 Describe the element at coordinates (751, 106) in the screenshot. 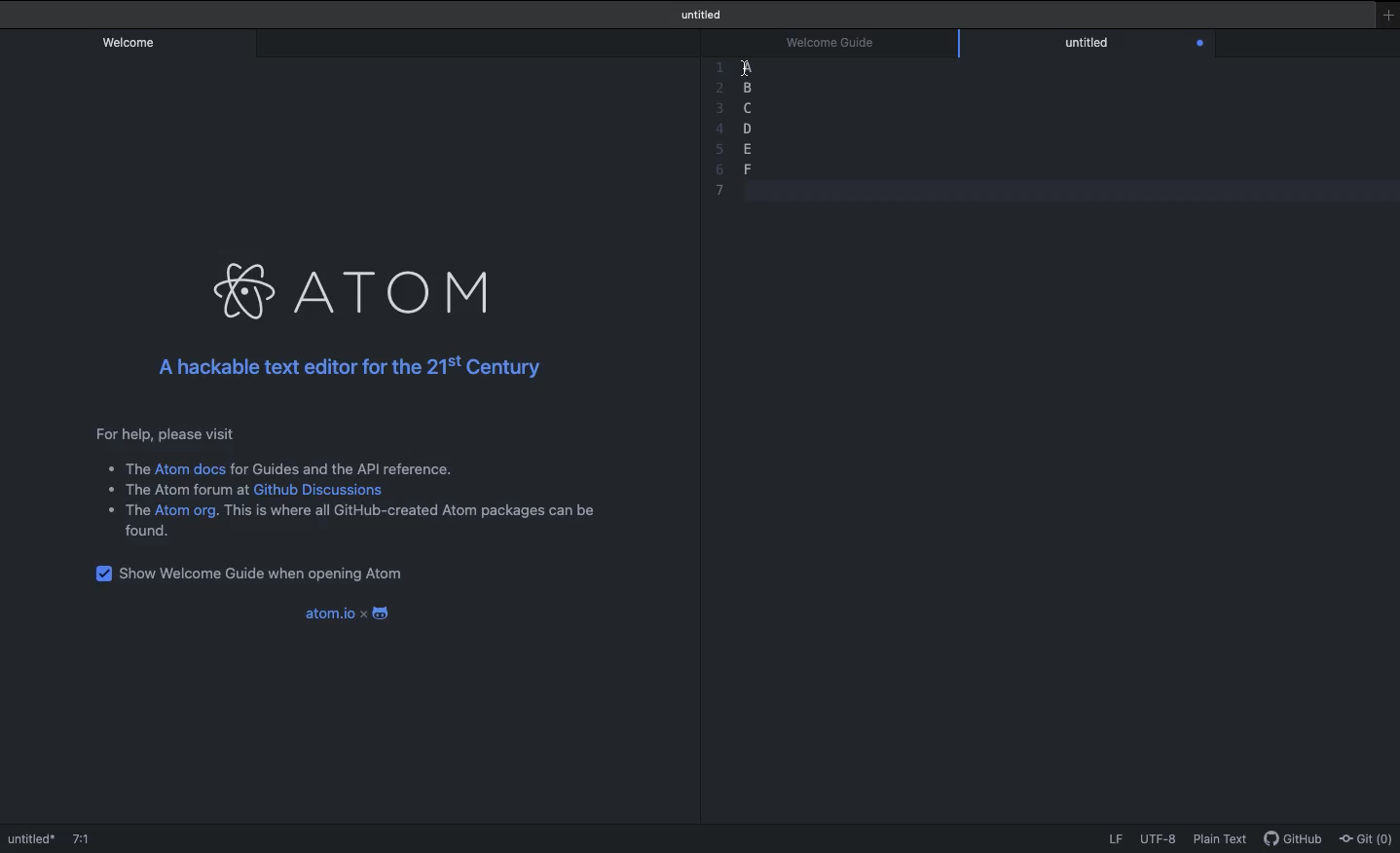

I see `c` at that location.